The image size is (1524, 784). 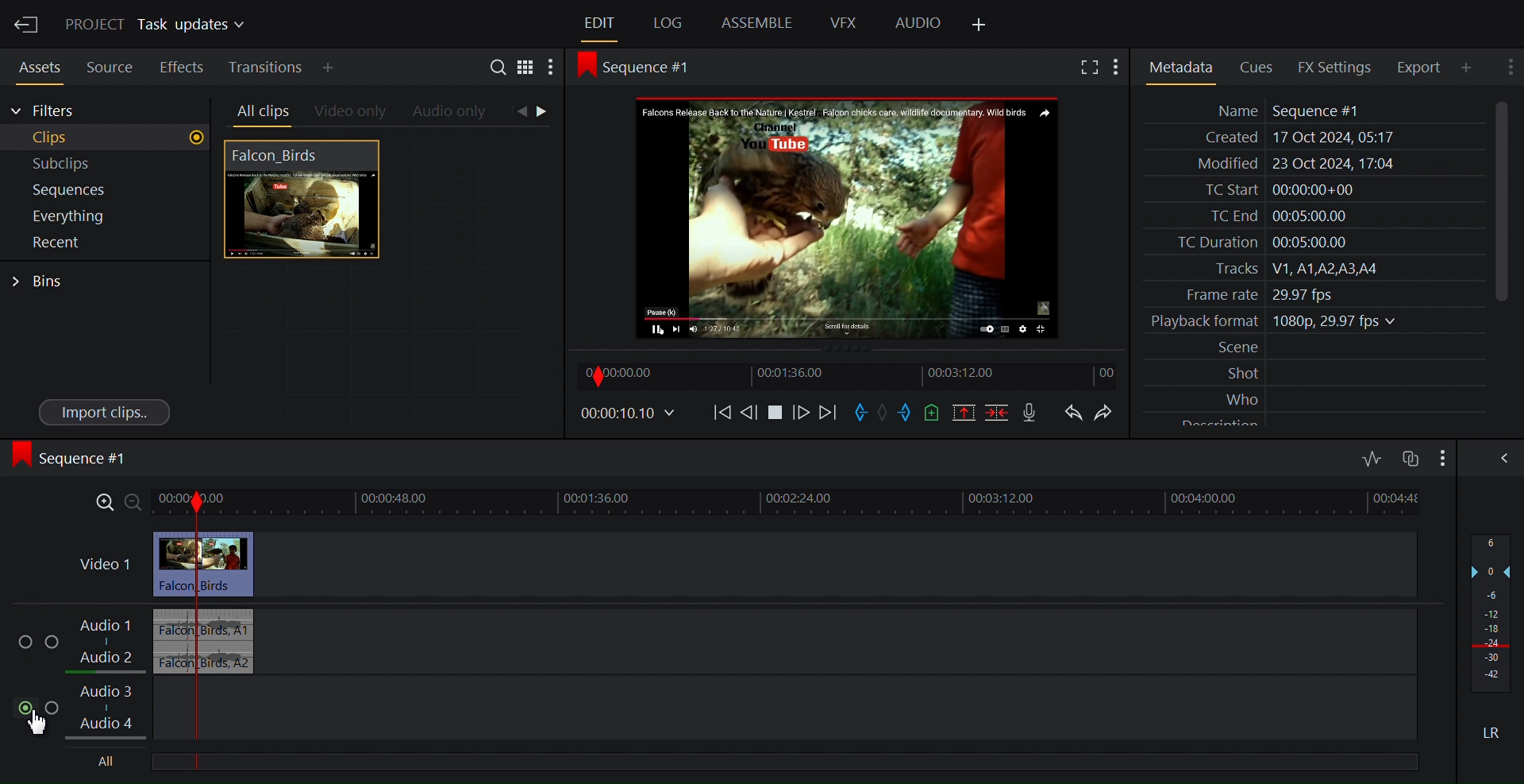 I want to click on zoom out, so click(x=133, y=502).